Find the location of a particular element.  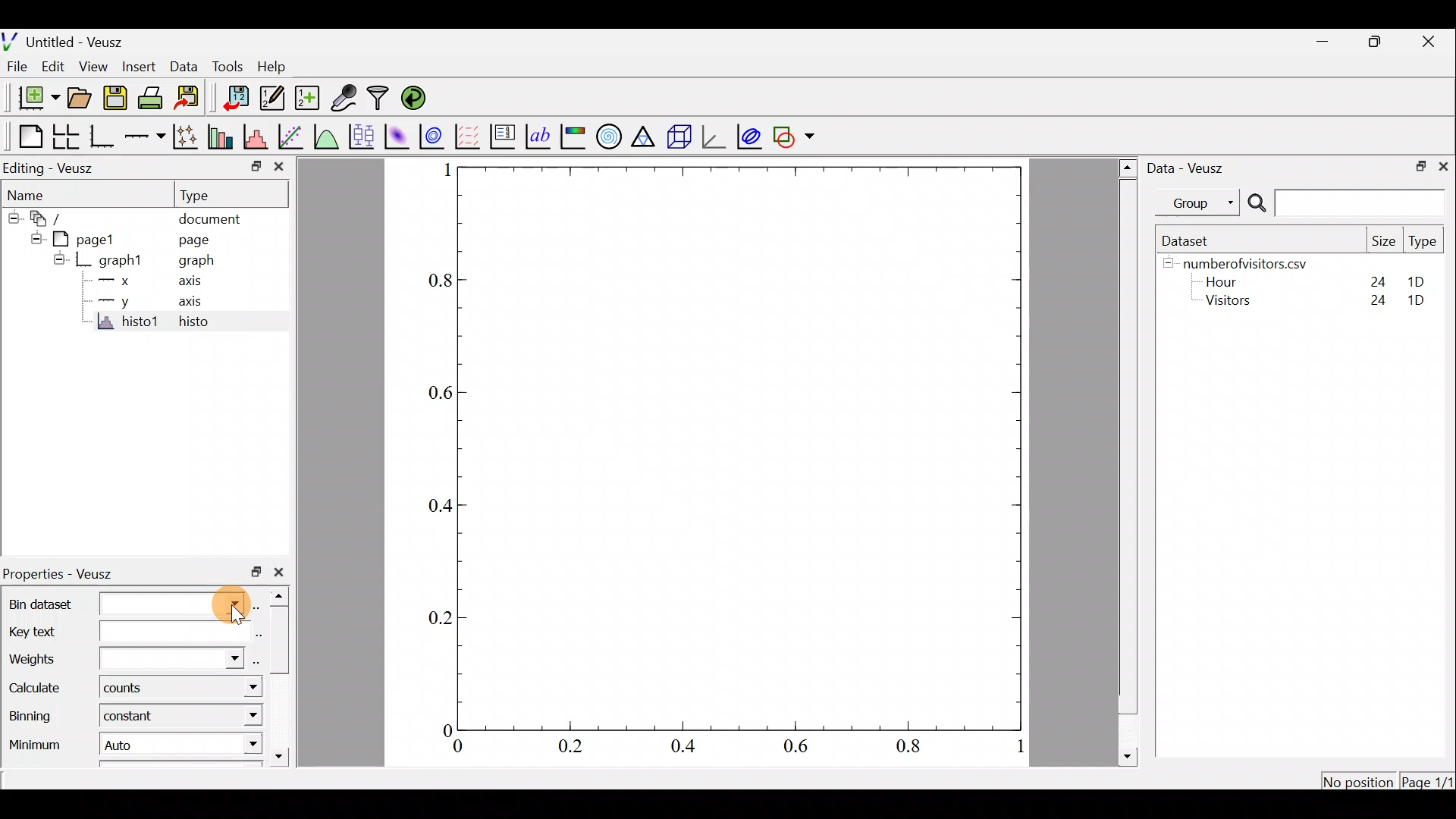

Binning is located at coordinates (33, 720).